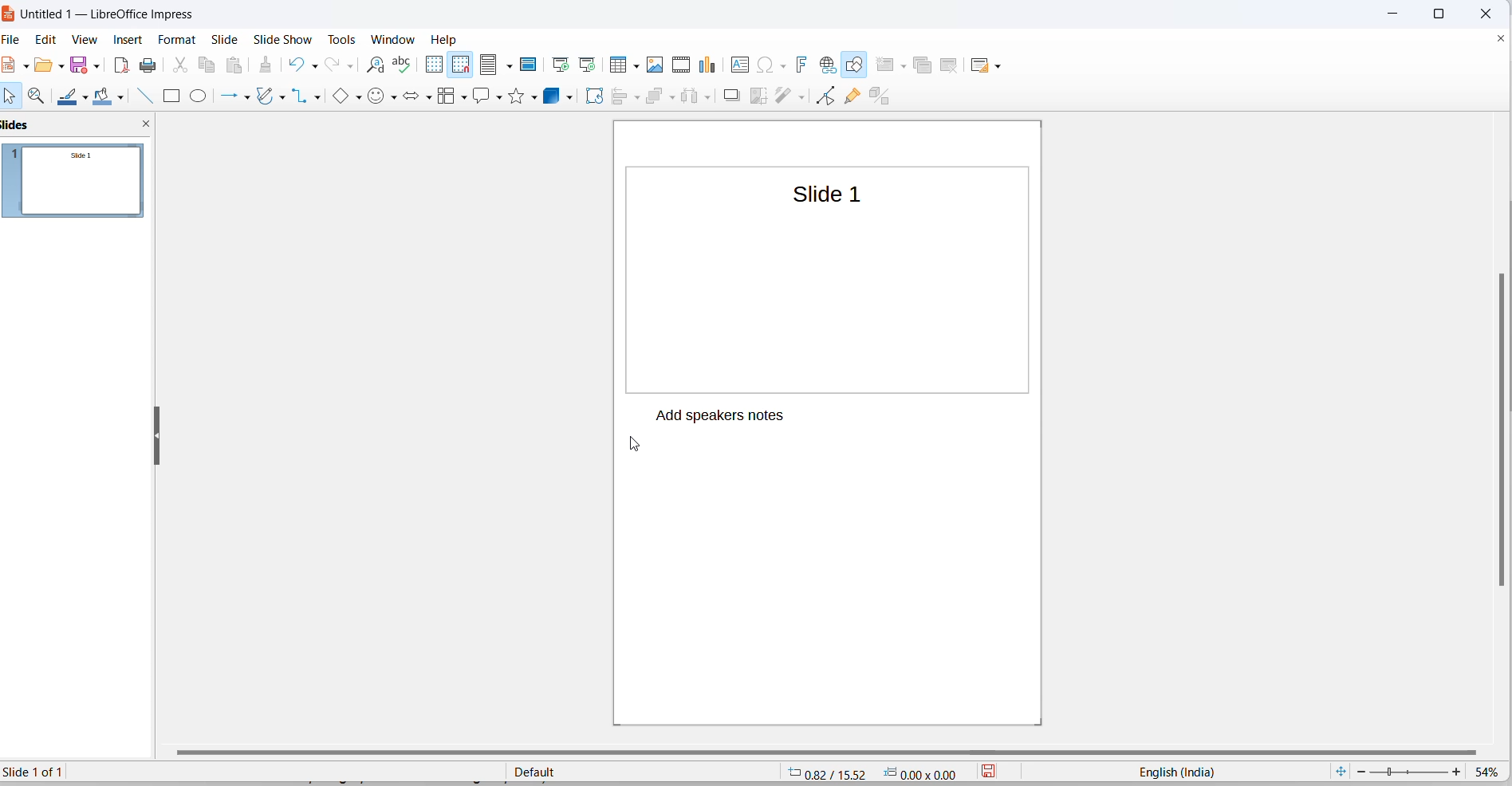 The image size is (1512, 786). I want to click on line and arrows options, so click(249, 98).